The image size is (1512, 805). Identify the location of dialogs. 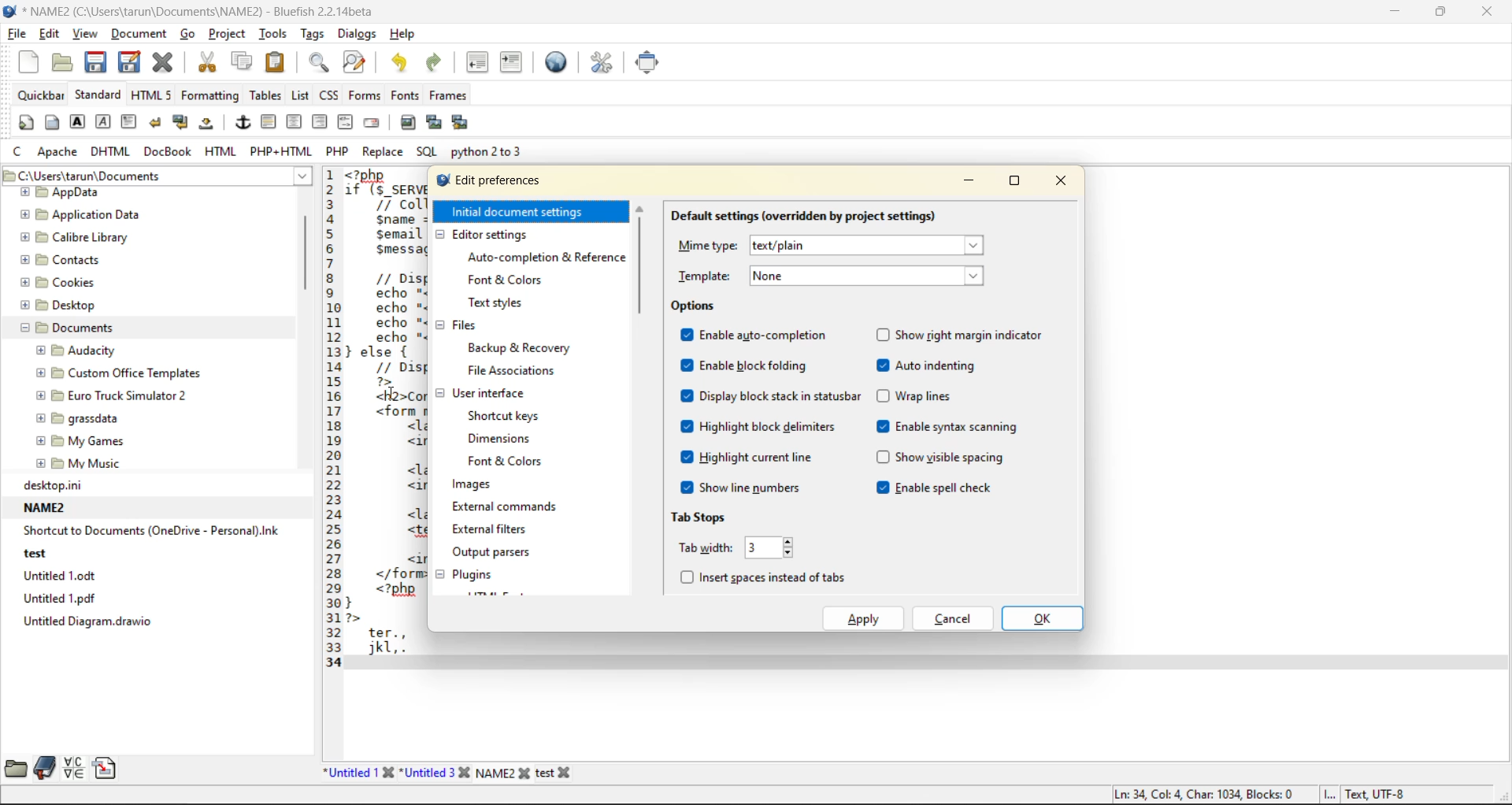
(358, 34).